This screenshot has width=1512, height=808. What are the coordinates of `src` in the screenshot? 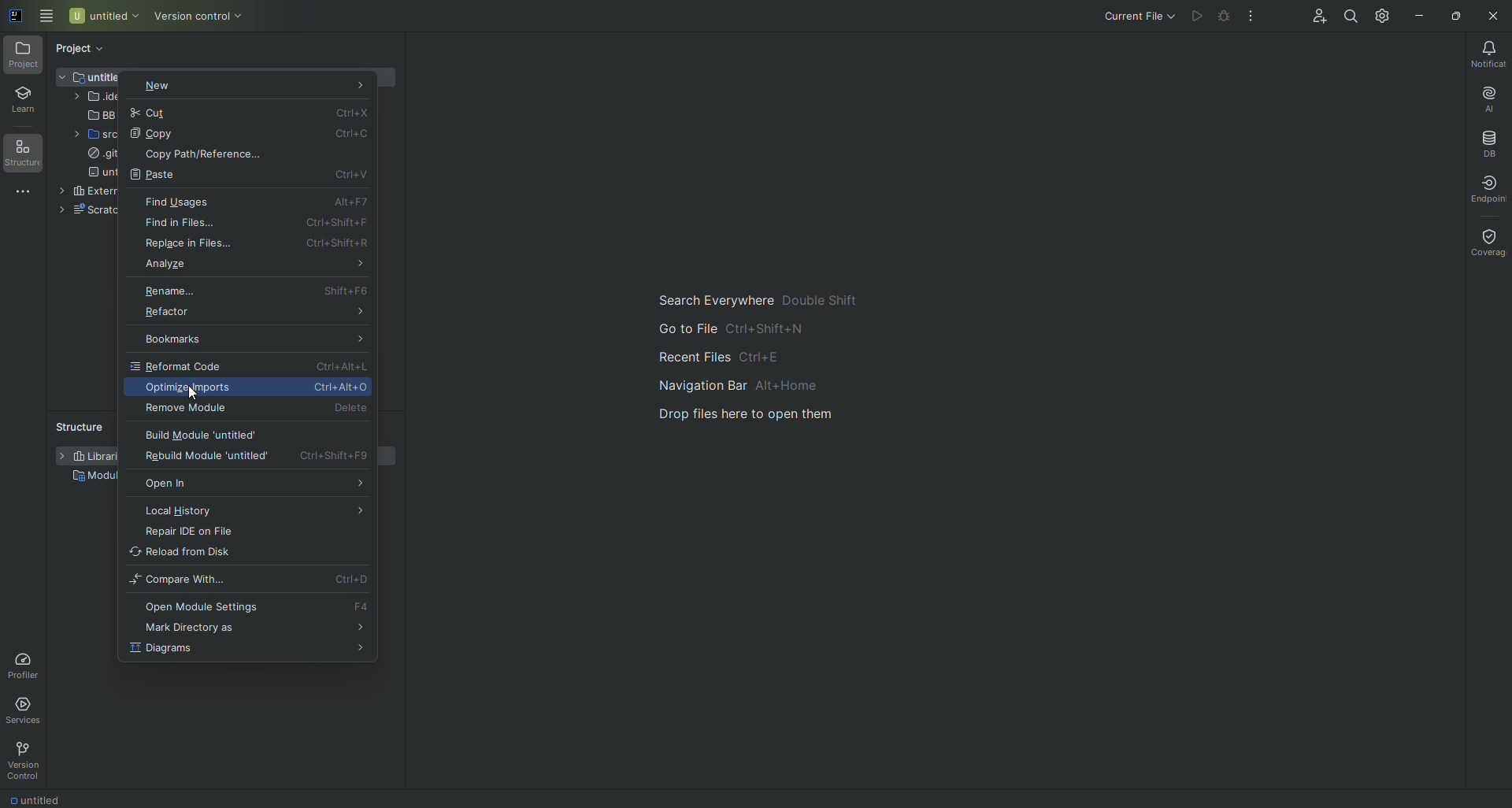 It's located at (90, 136).